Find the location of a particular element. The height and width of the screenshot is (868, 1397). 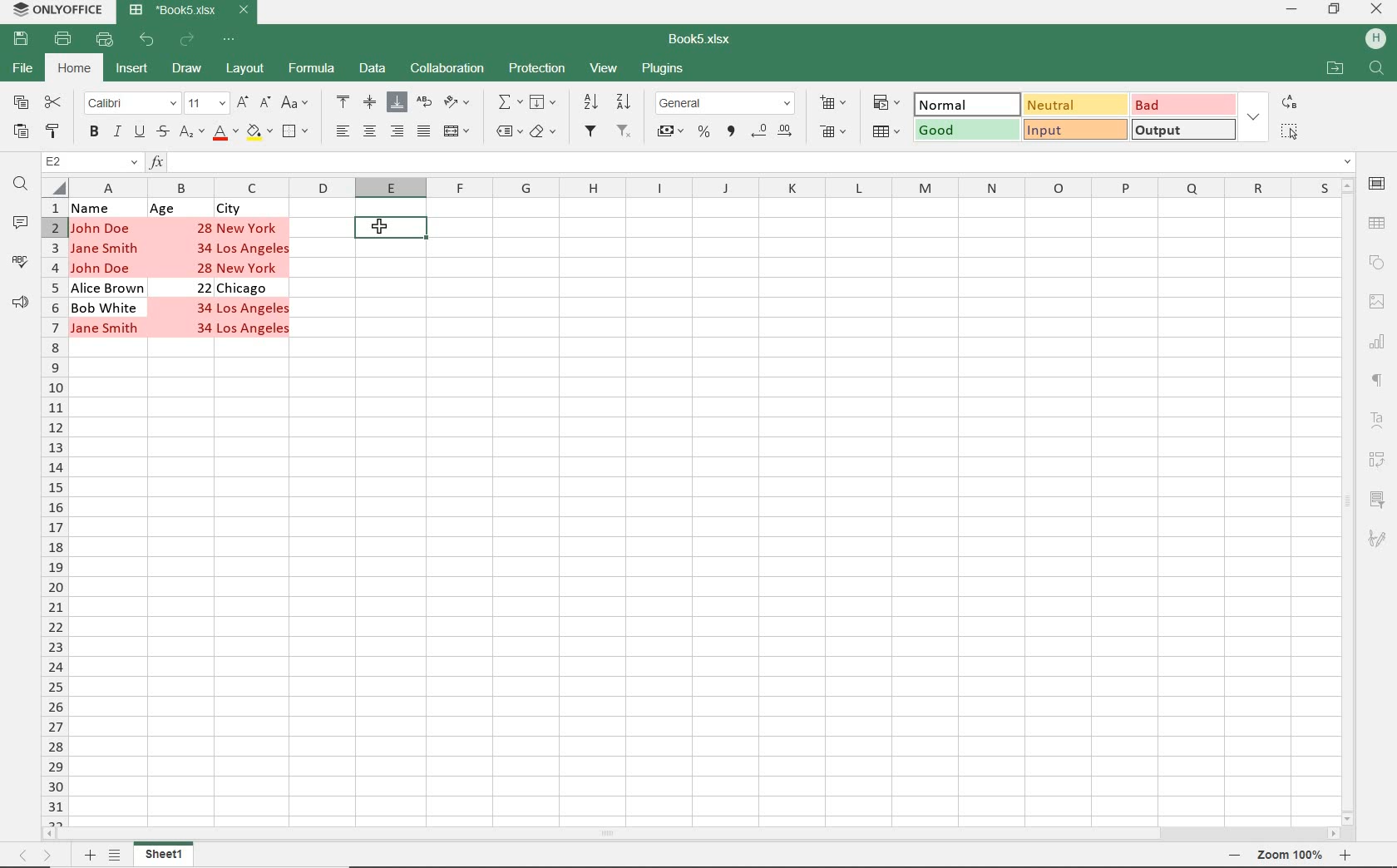

ADD SHEETS is located at coordinates (90, 856).